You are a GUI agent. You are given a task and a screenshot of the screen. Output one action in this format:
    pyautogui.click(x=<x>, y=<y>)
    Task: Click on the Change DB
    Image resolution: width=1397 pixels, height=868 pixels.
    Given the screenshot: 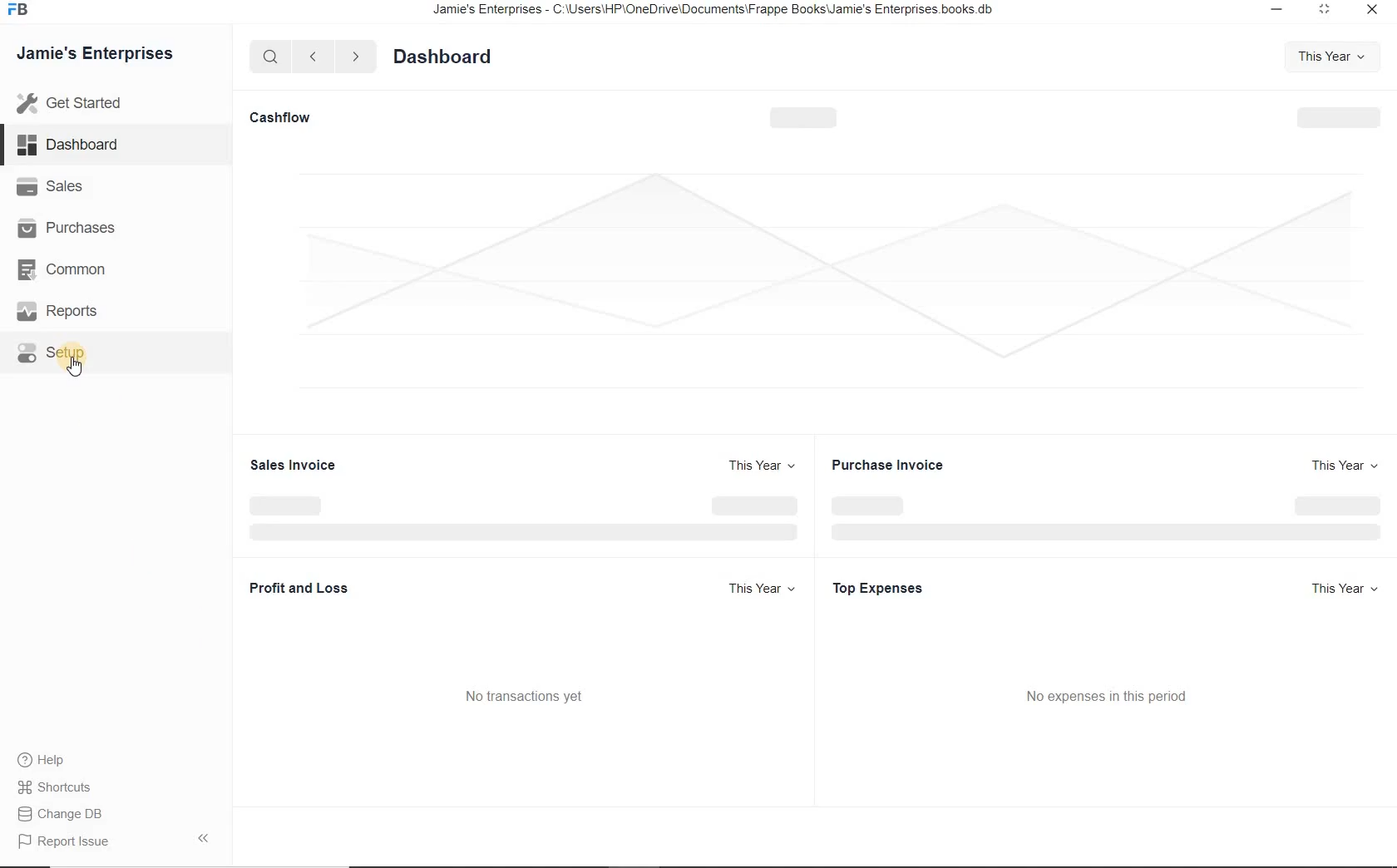 What is the action you would take?
    pyautogui.click(x=65, y=815)
    